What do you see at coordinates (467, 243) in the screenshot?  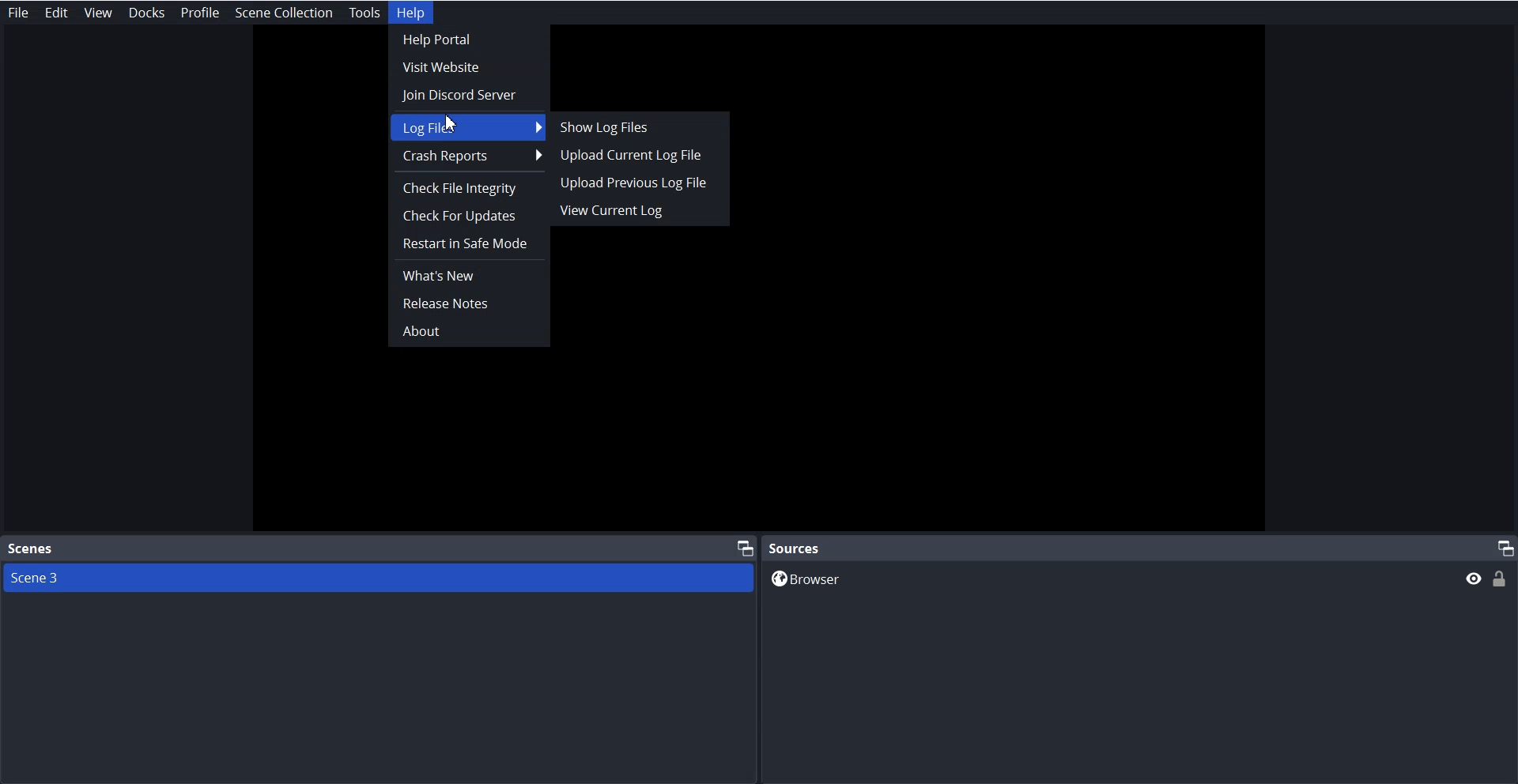 I see `Restart in Safe Mode` at bounding box center [467, 243].